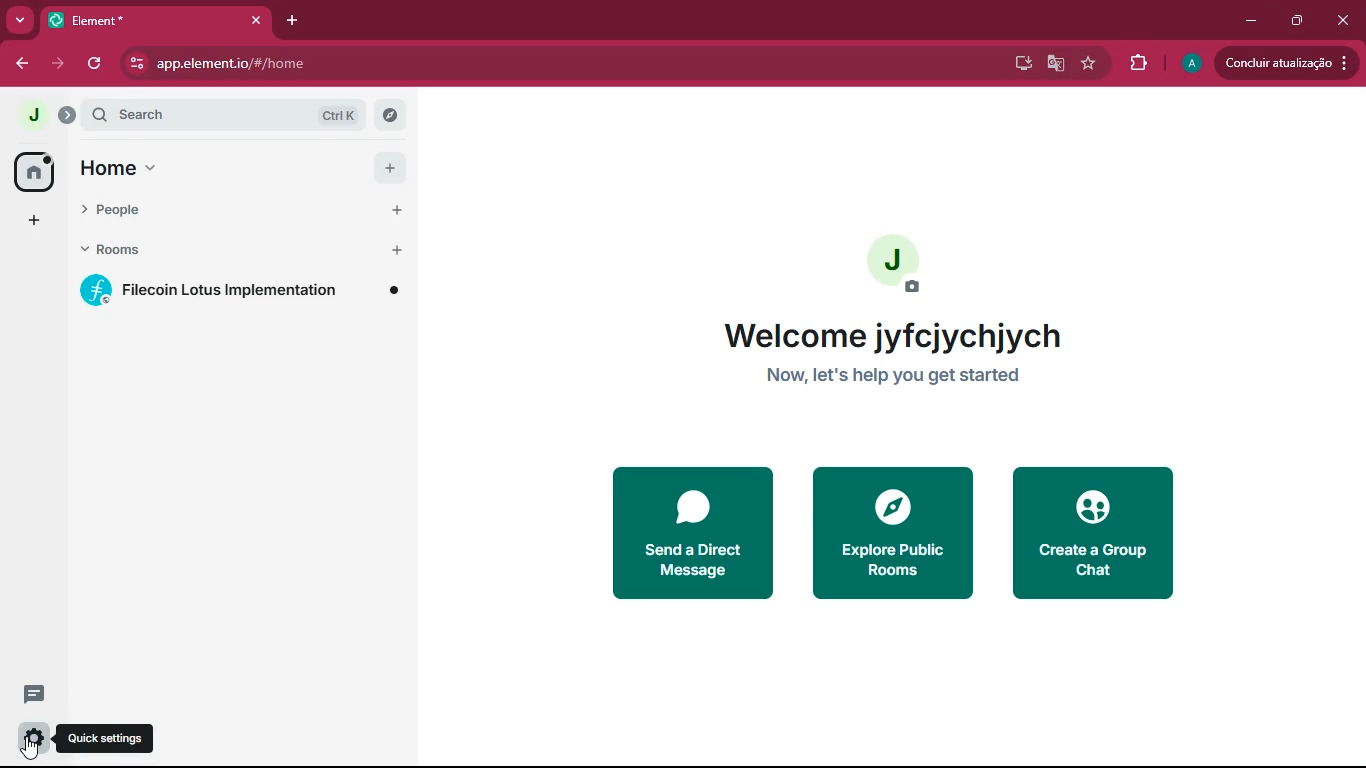 This screenshot has height=768, width=1366. What do you see at coordinates (1249, 21) in the screenshot?
I see `minimize` at bounding box center [1249, 21].